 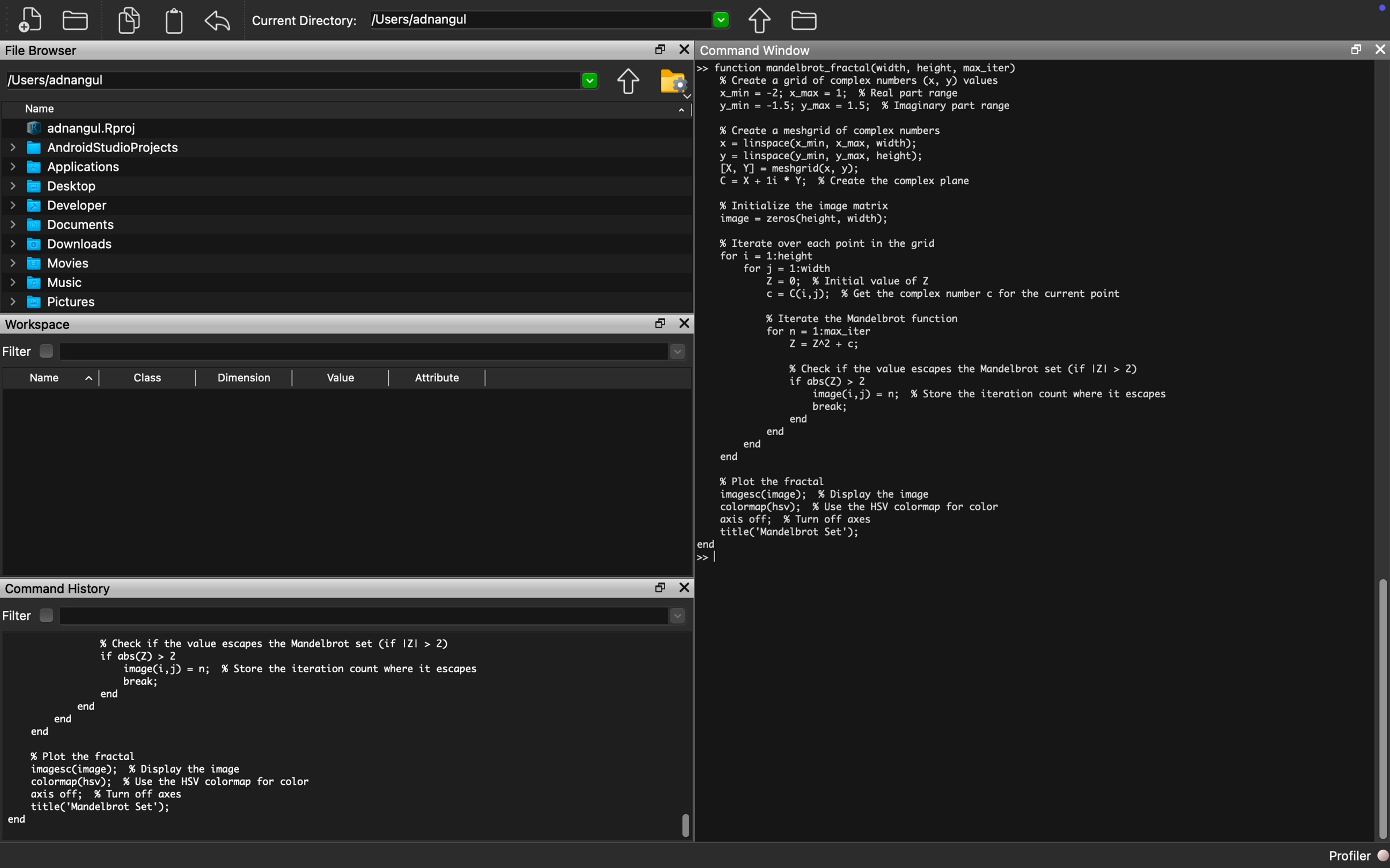 I want to click on Redo, so click(x=221, y=22).